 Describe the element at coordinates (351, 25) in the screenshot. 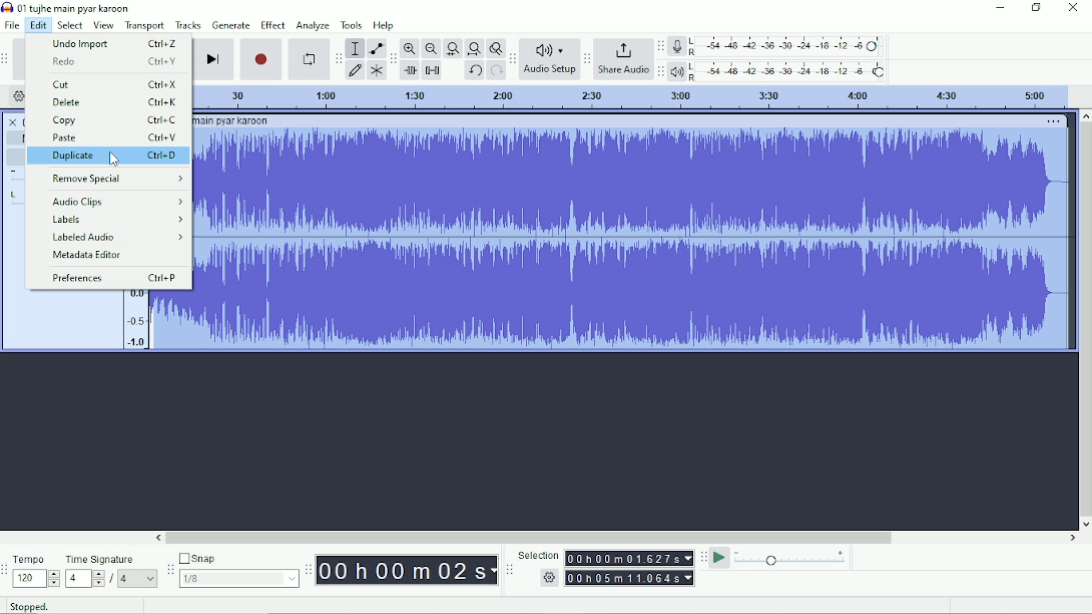

I see `Tools` at that location.